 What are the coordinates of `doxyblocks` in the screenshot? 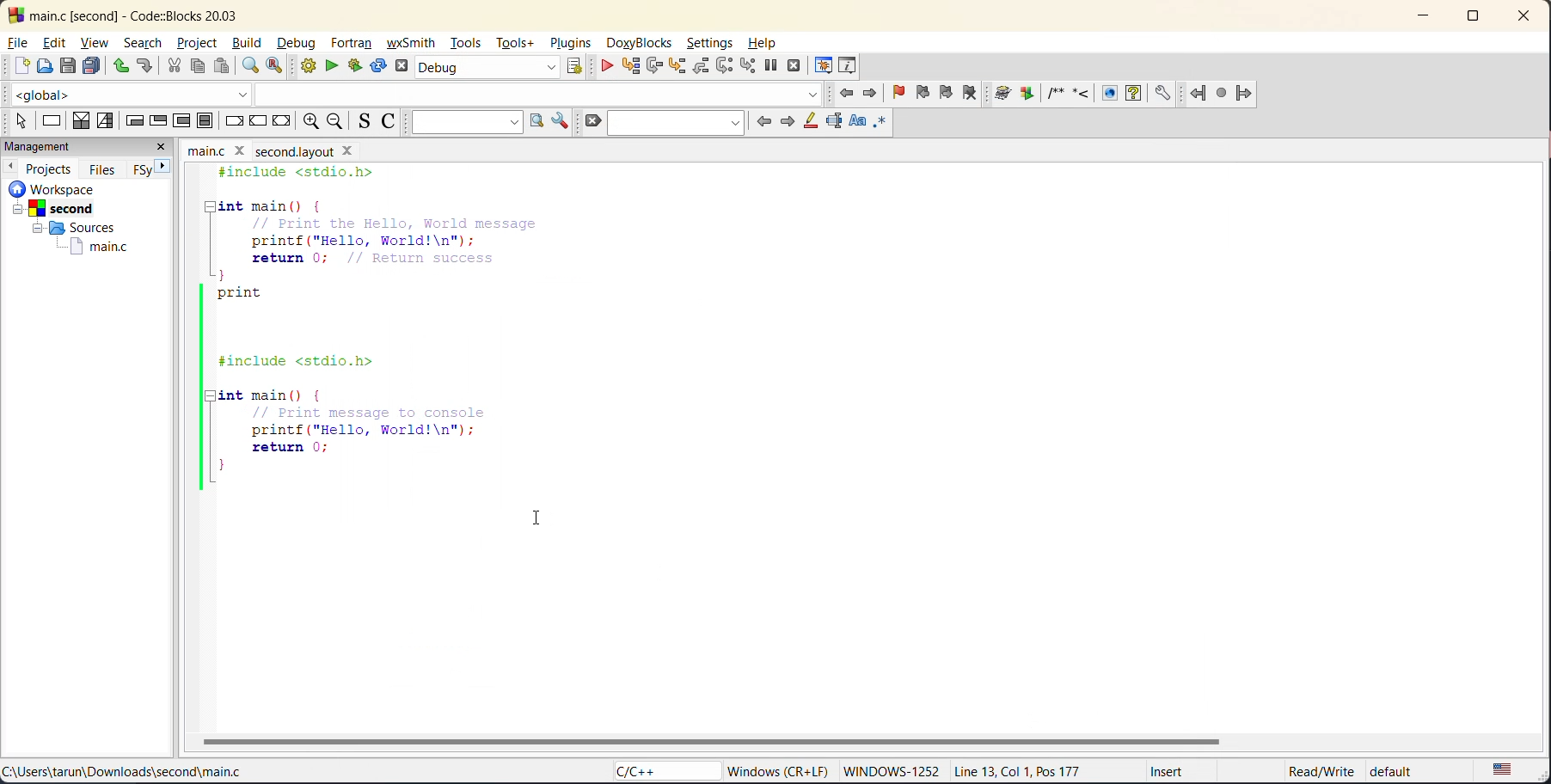 It's located at (640, 44).